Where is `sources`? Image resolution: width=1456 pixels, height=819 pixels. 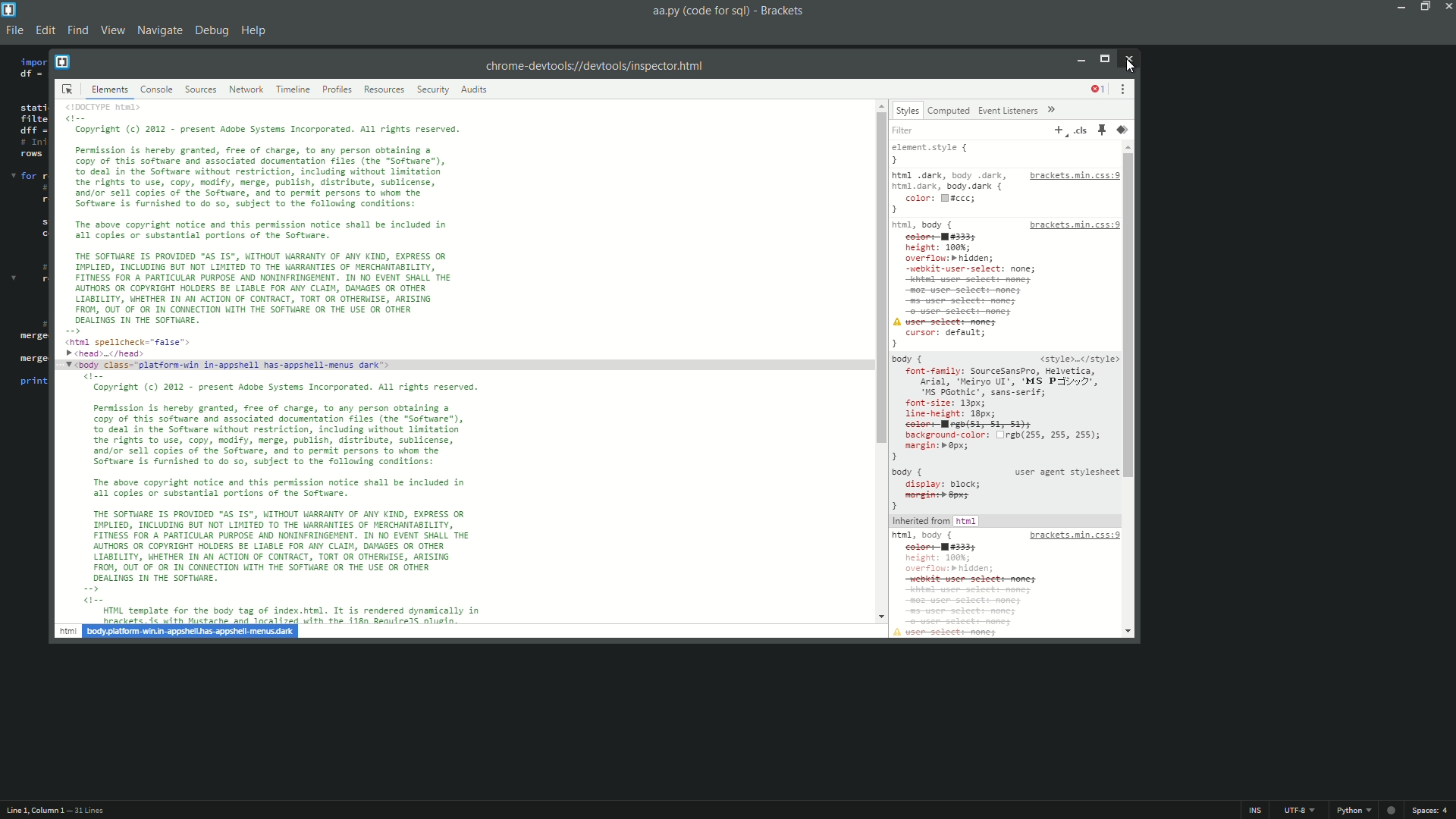 sources is located at coordinates (201, 89).